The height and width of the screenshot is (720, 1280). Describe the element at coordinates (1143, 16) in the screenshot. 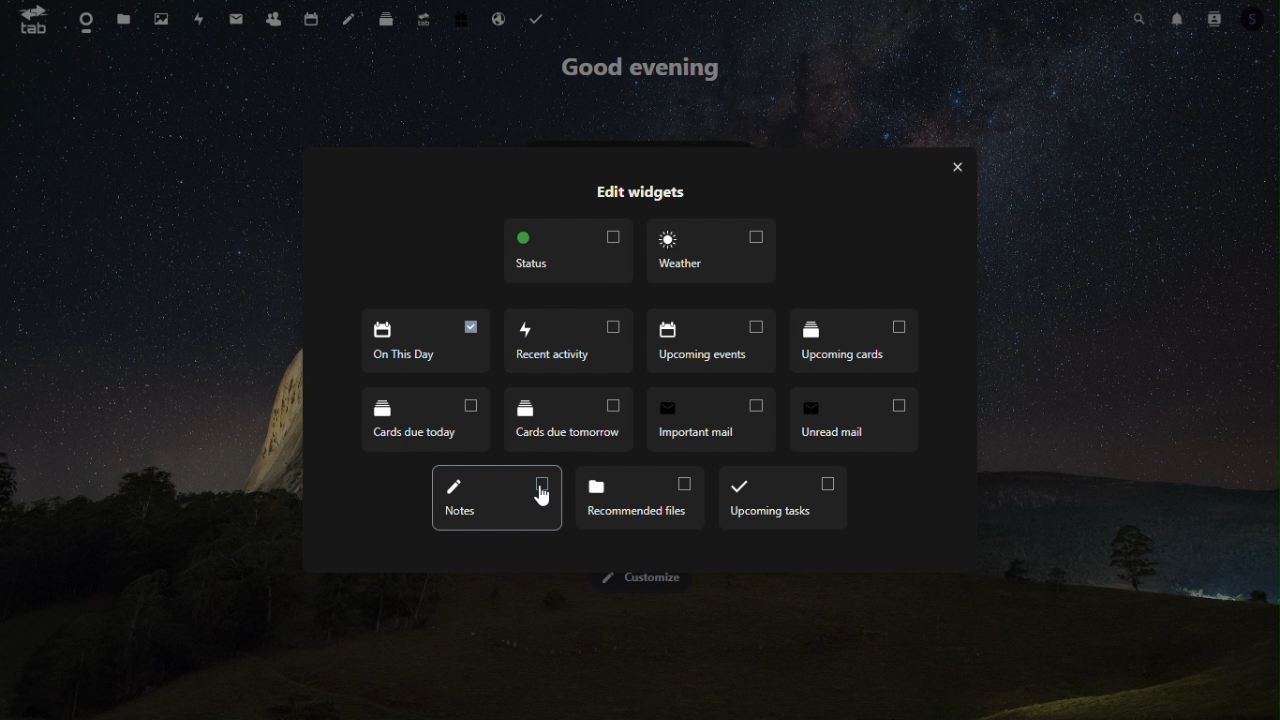

I see `Search` at that location.